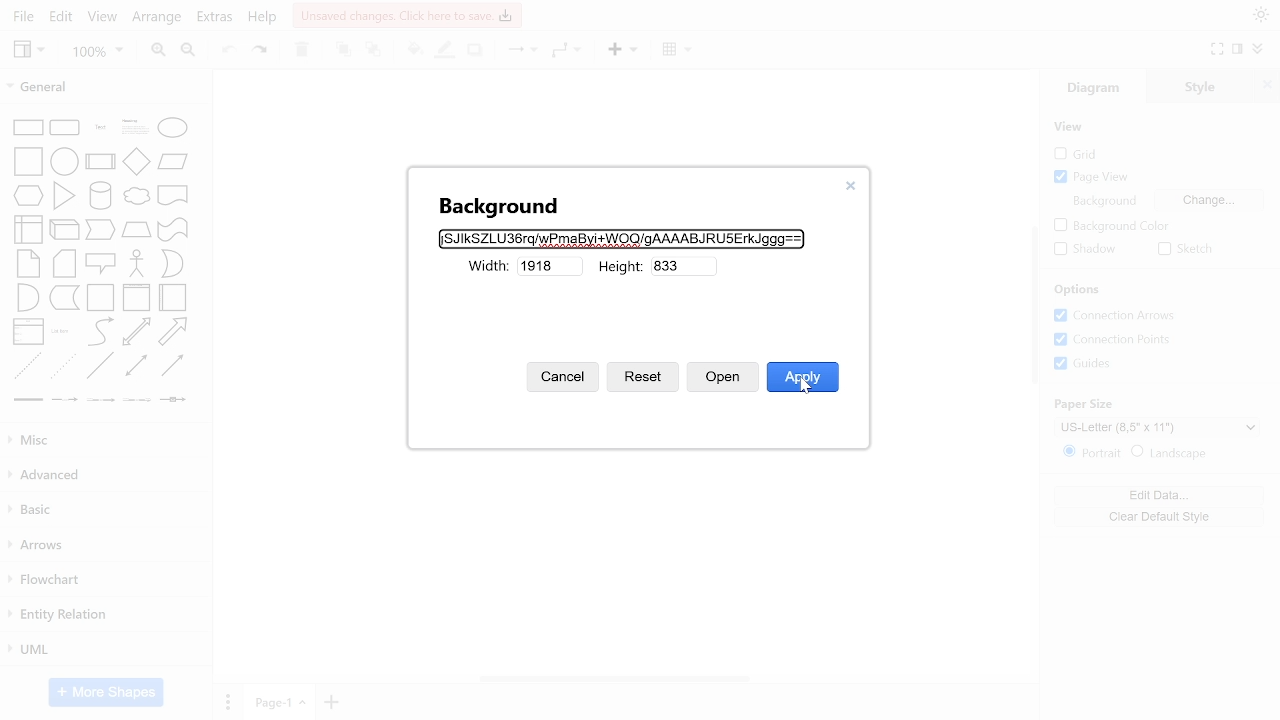  I want to click on general shapes, so click(172, 332).